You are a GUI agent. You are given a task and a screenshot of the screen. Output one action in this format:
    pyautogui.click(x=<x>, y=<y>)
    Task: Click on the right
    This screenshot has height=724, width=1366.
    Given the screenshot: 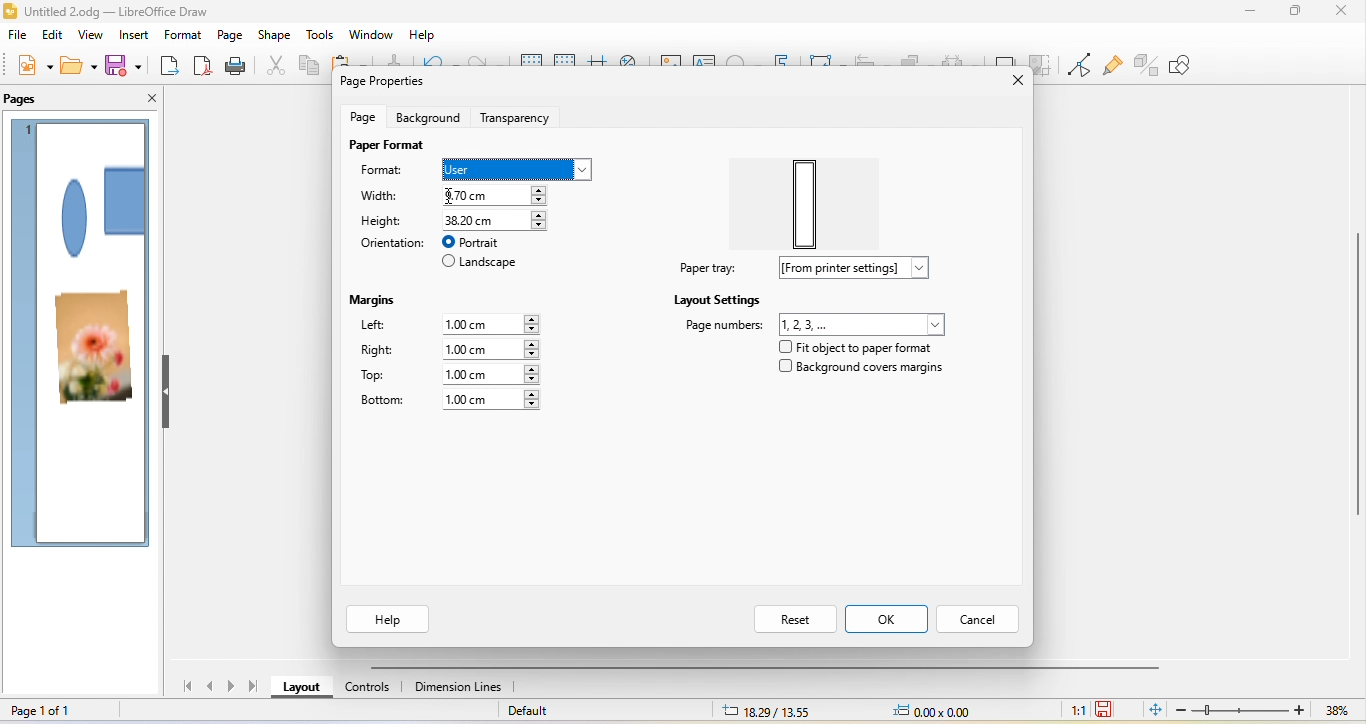 What is the action you would take?
    pyautogui.click(x=378, y=351)
    